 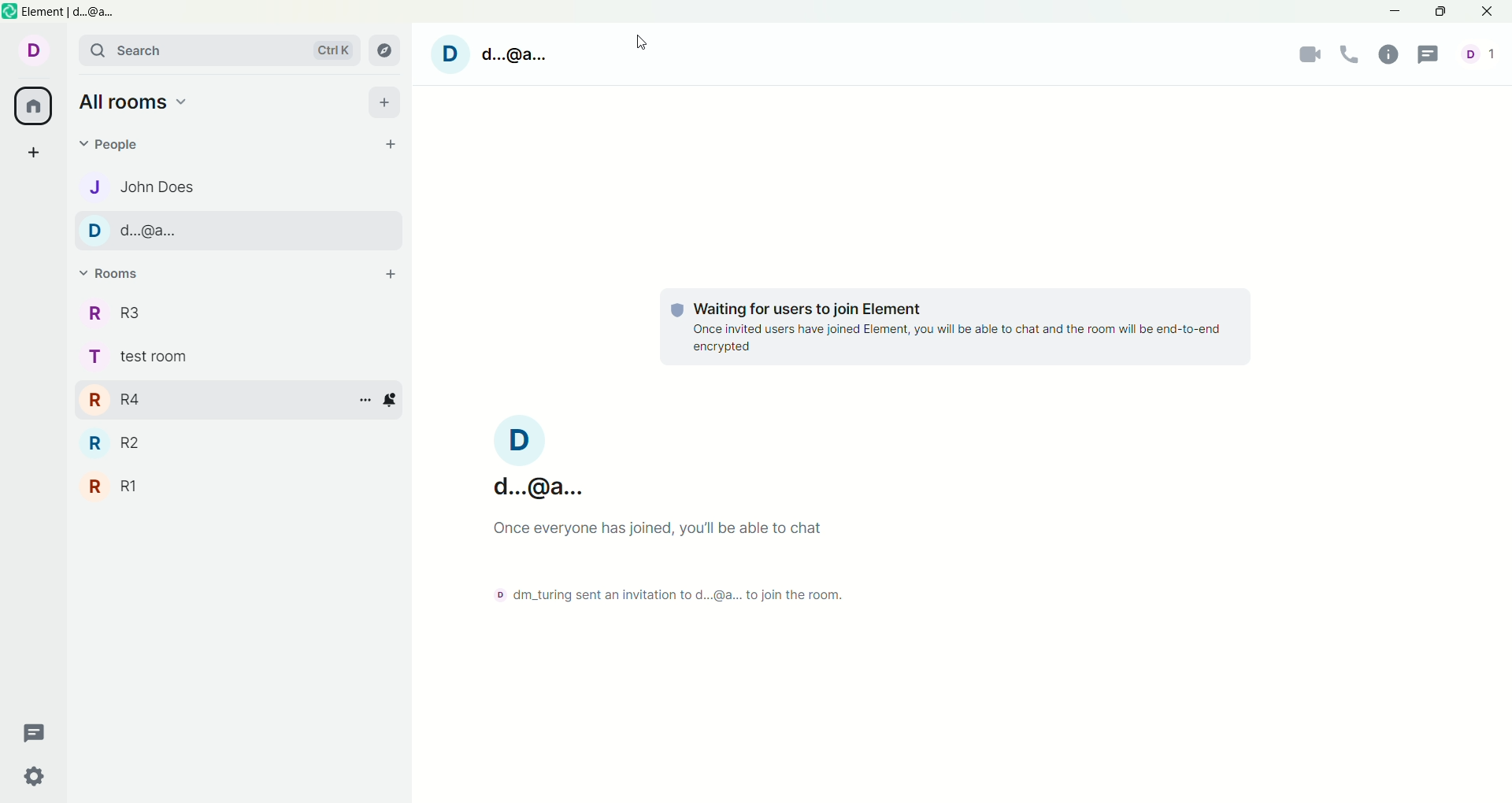 I want to click on rooms, so click(x=109, y=274).